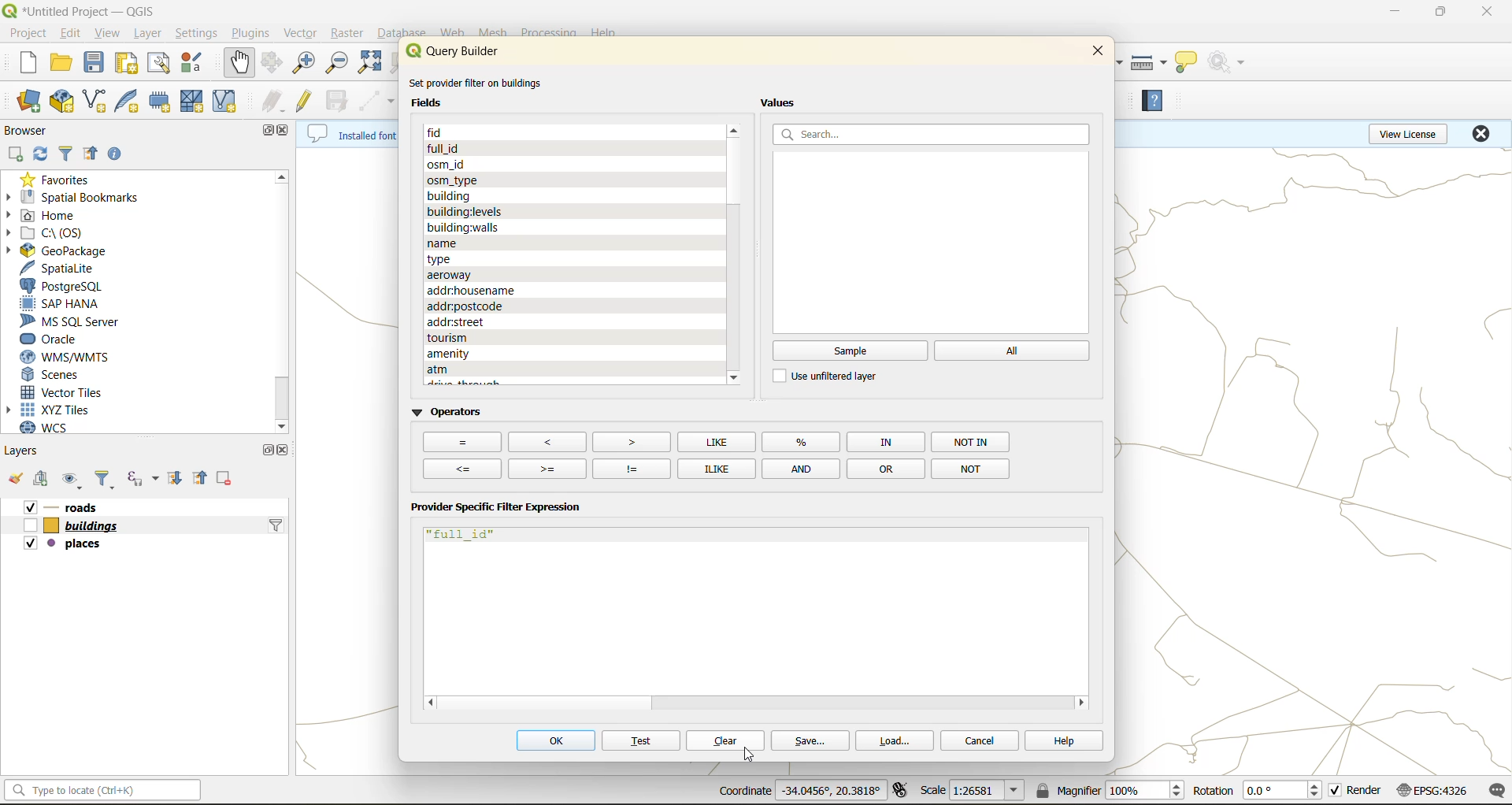 This screenshot has width=1512, height=805. I want to click on collapse all, so click(92, 154).